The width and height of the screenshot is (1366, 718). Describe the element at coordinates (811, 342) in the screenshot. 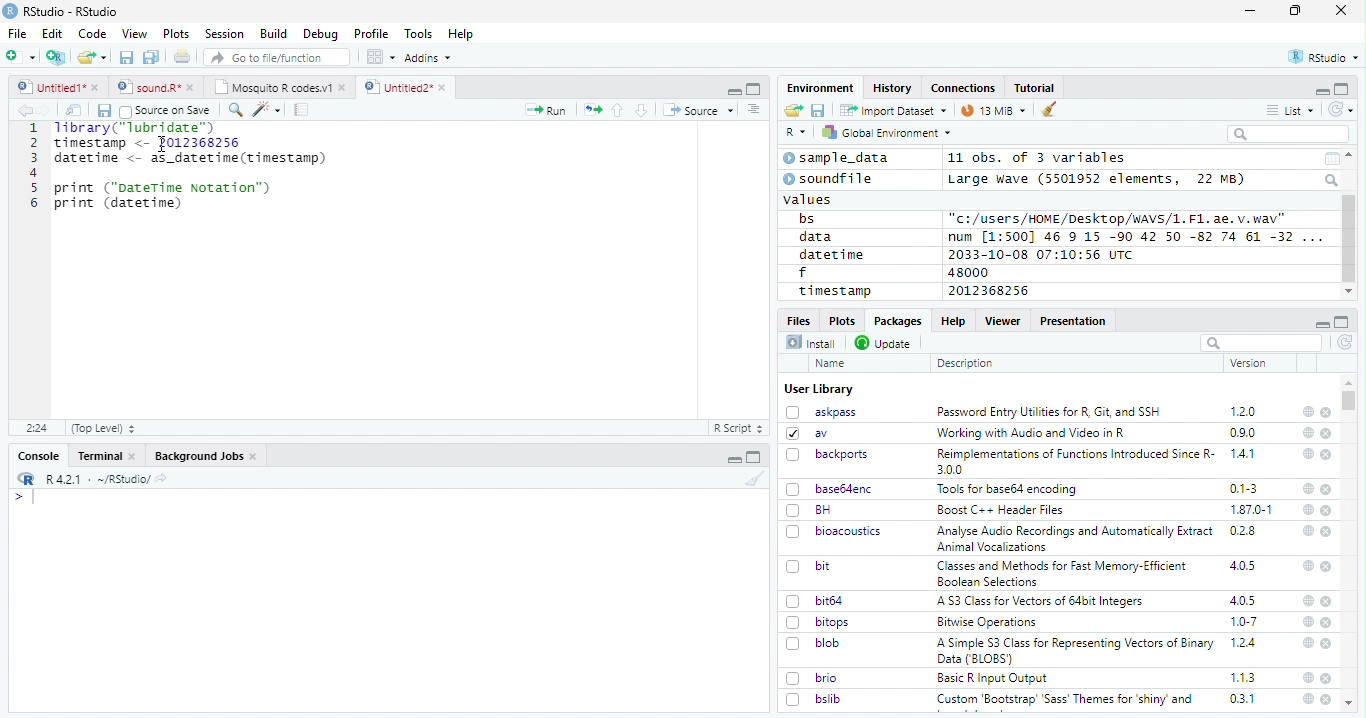

I see `Install` at that location.